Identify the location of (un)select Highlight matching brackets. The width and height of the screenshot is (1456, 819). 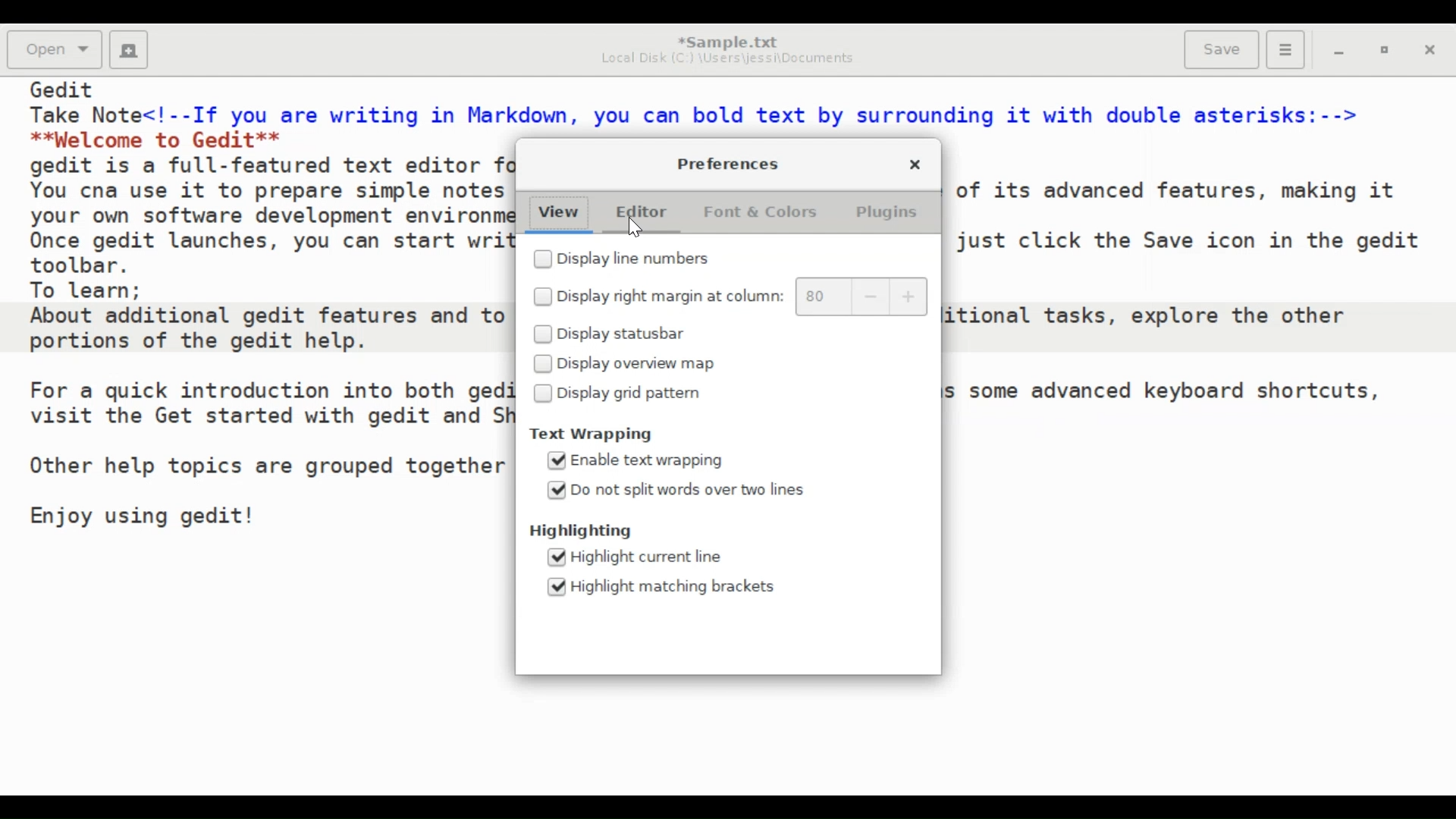
(663, 587).